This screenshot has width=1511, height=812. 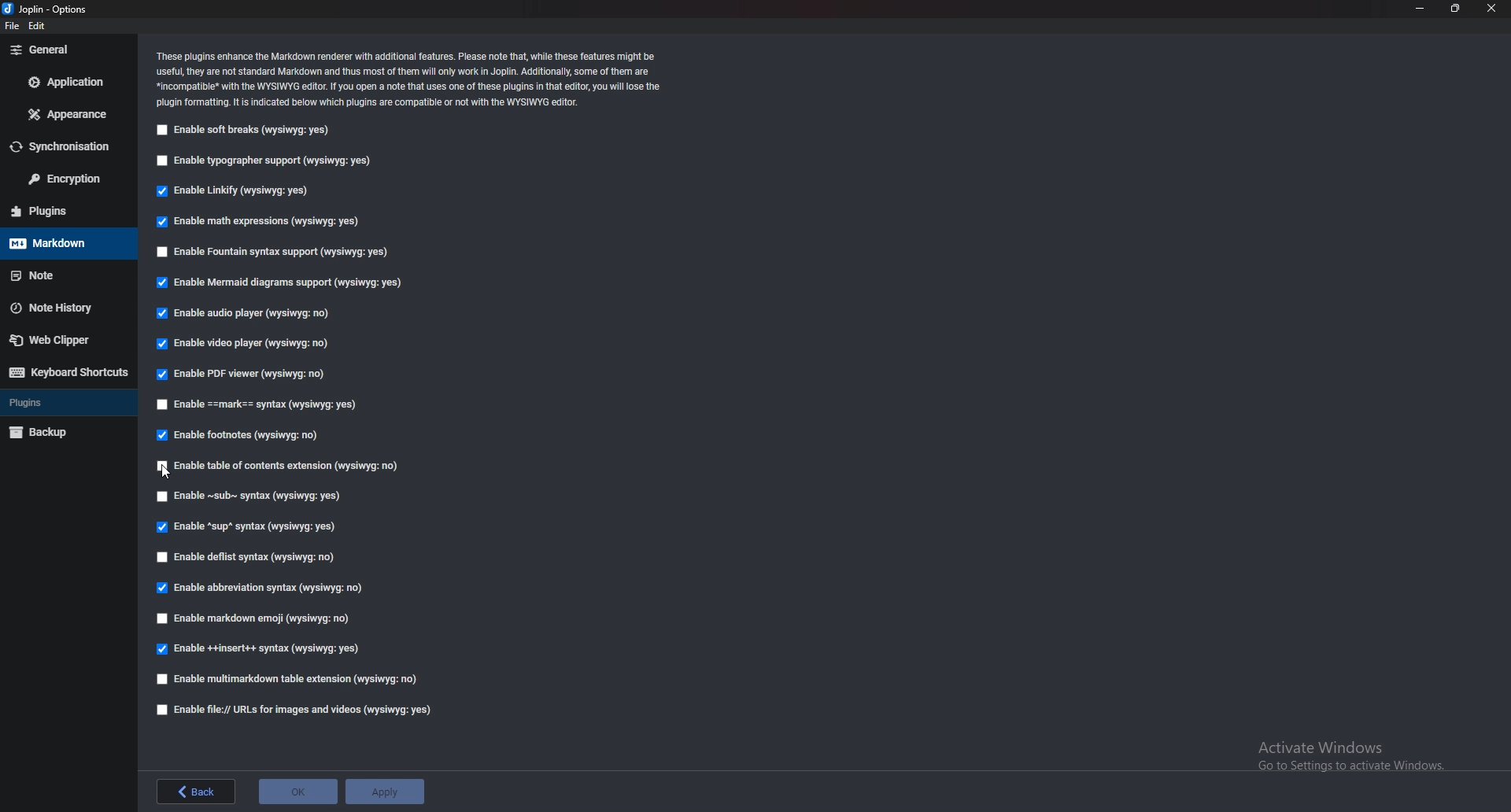 What do you see at coordinates (271, 585) in the screenshot?
I see `Enable abbreviation syntax` at bounding box center [271, 585].